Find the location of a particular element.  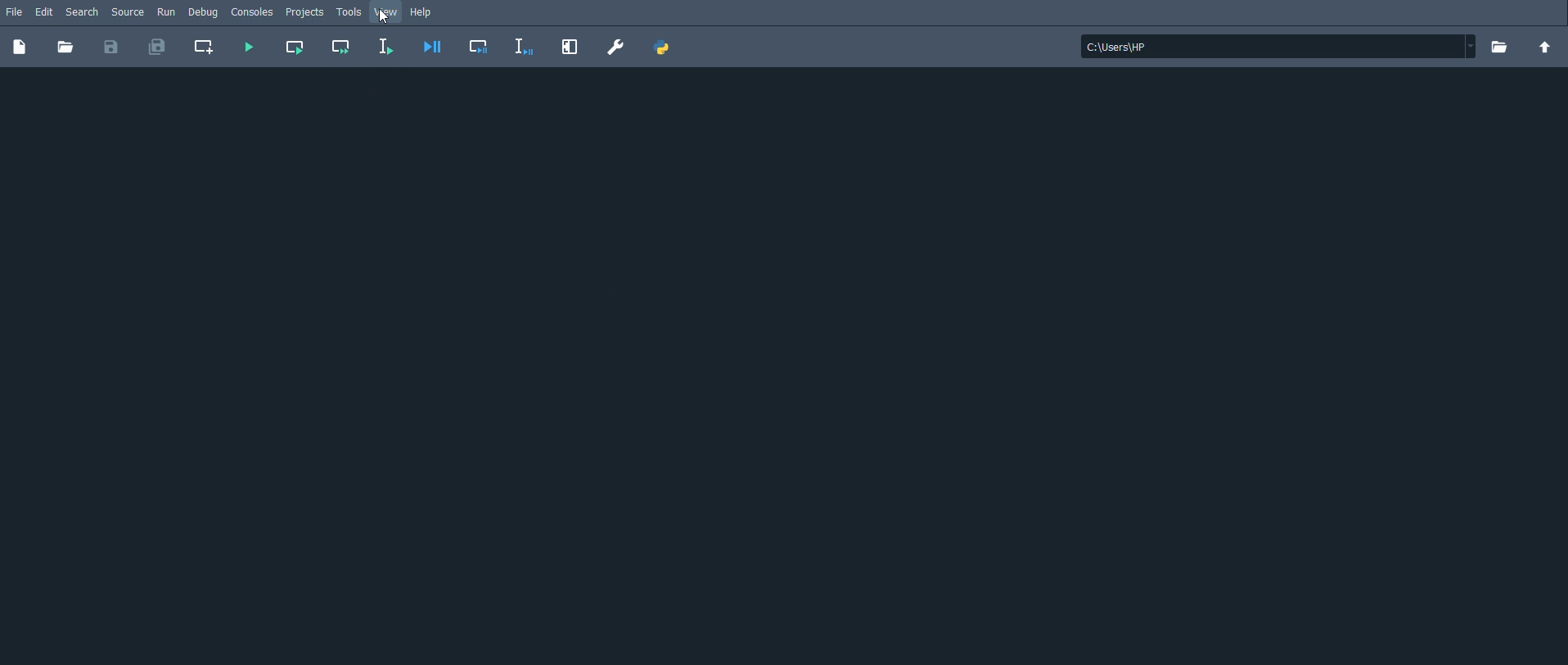

Run is located at coordinates (166, 11).